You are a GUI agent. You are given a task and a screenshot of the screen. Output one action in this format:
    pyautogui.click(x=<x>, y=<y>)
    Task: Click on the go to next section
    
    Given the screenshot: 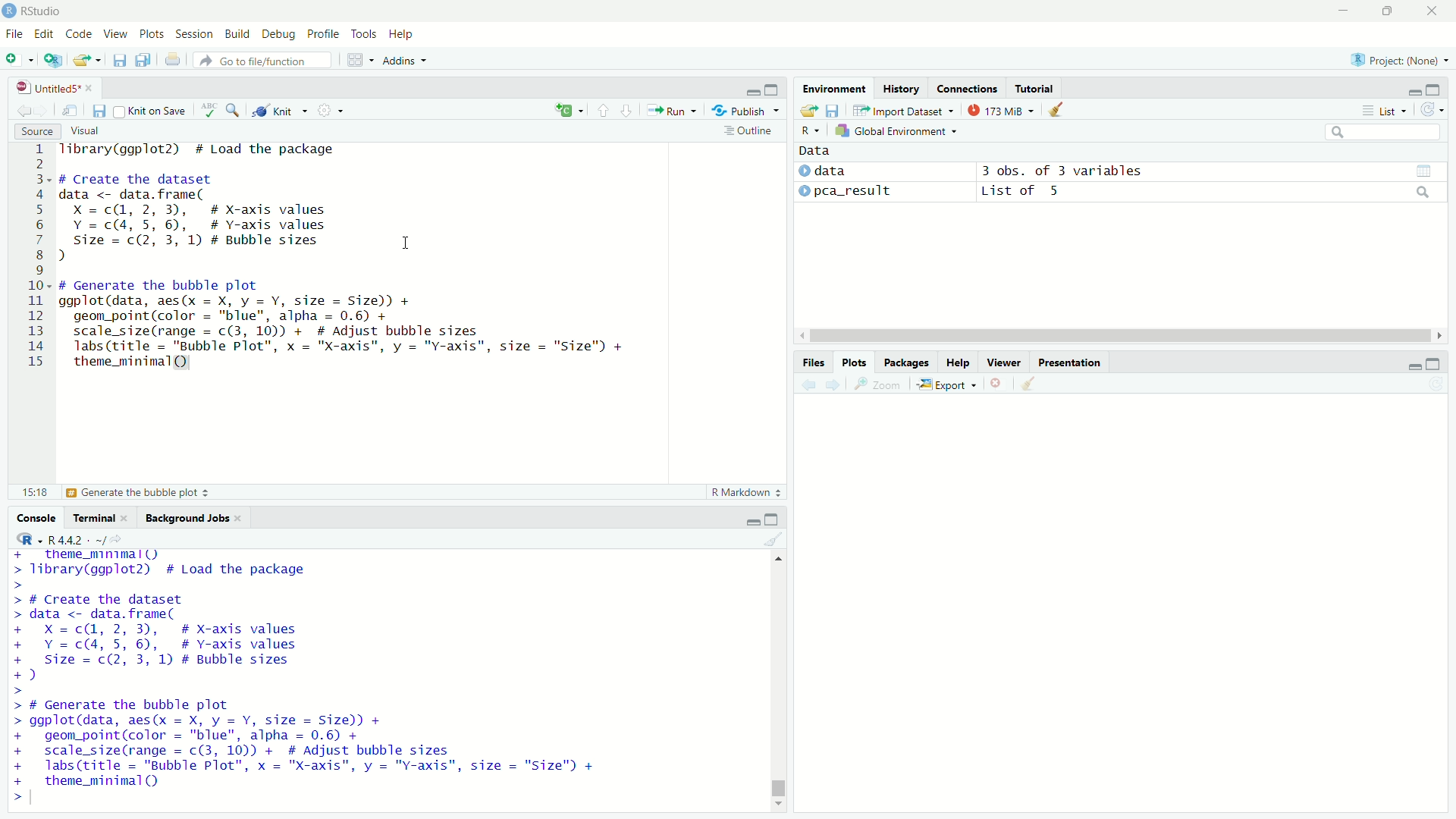 What is the action you would take?
    pyautogui.click(x=628, y=108)
    